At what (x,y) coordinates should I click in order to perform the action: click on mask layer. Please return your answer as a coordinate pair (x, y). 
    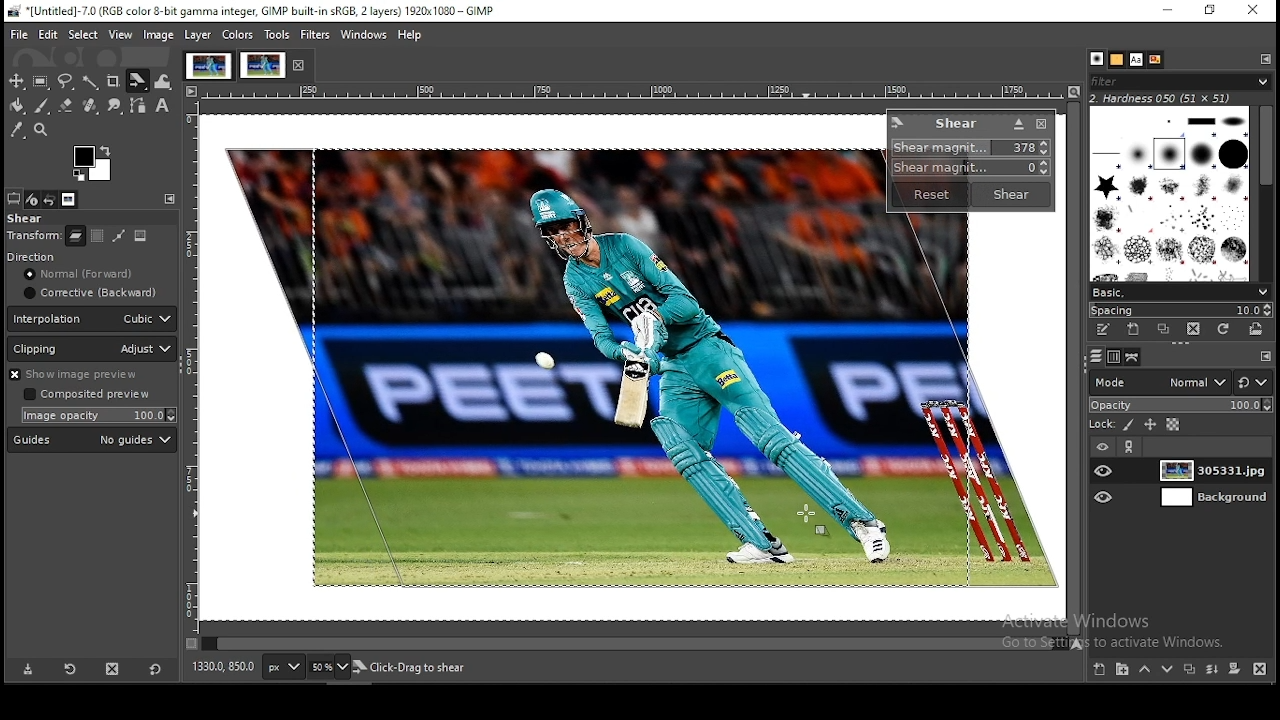
    Looking at the image, I should click on (1234, 669).